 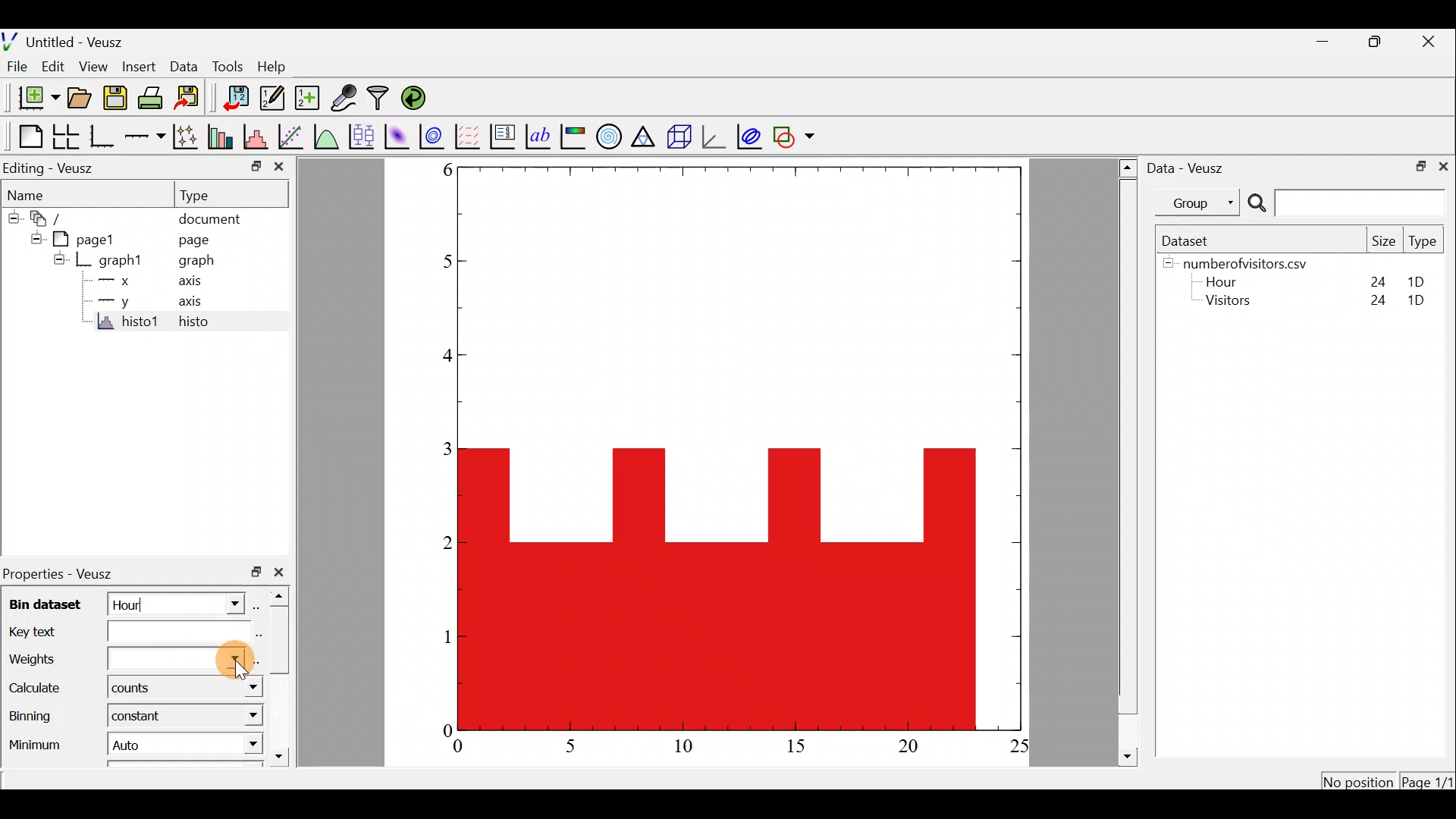 I want to click on Minimum, so click(x=32, y=748).